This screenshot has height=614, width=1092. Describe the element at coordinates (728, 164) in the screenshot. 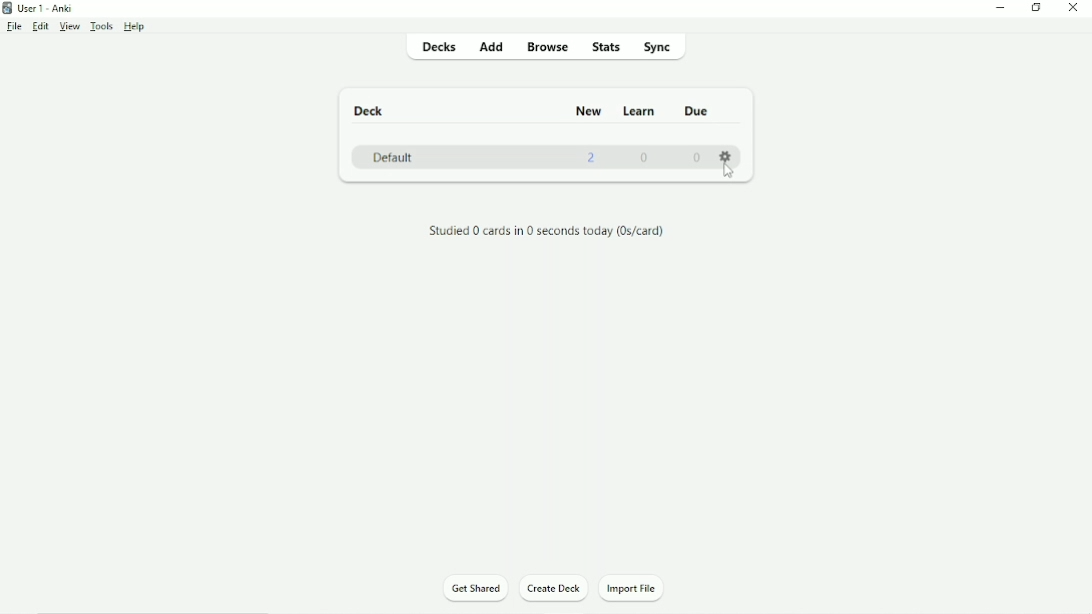

I see `Settings` at that location.